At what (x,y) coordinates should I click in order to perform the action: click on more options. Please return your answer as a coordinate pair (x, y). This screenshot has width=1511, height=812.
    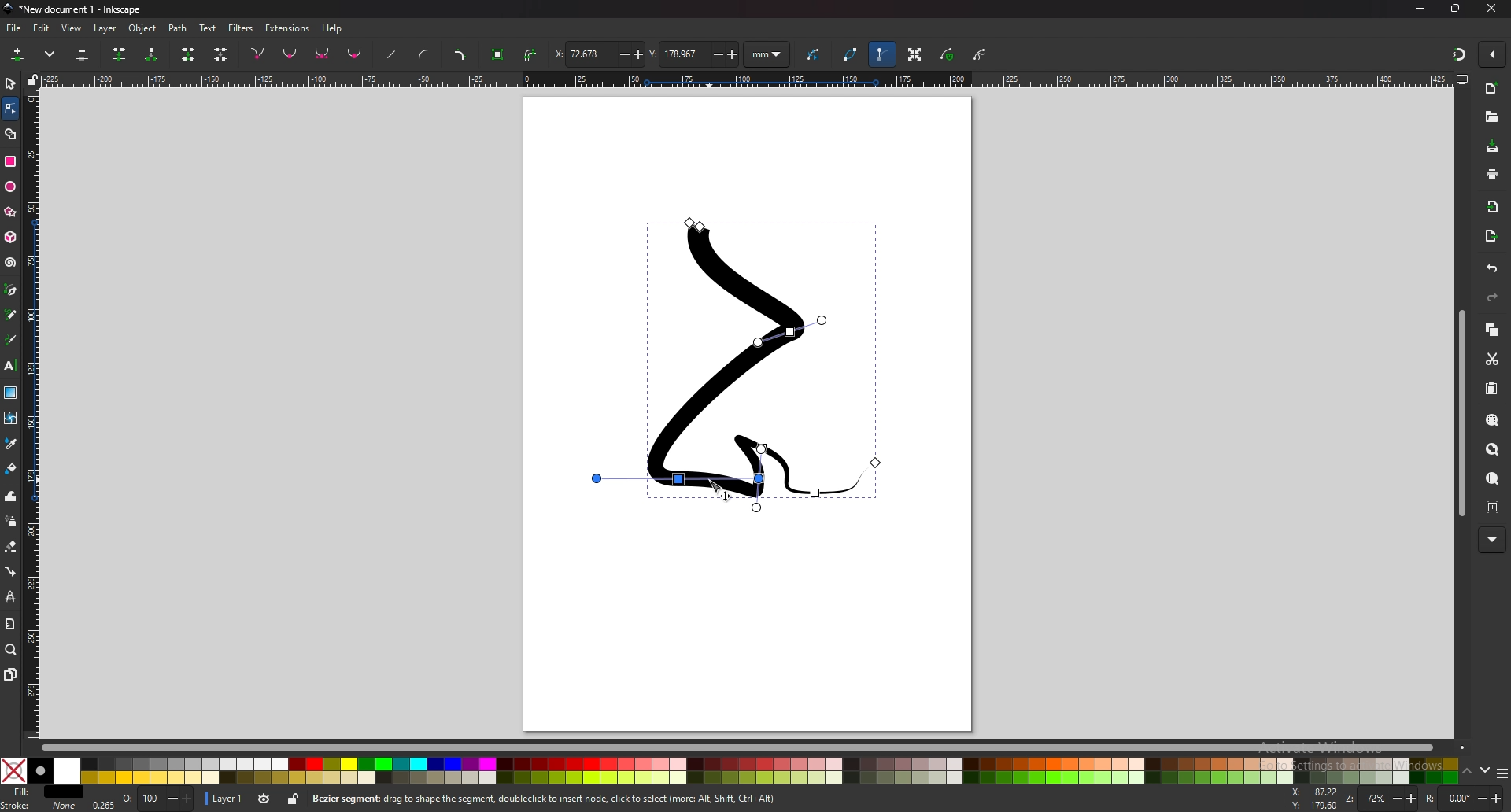
    Looking at the image, I should click on (50, 54).